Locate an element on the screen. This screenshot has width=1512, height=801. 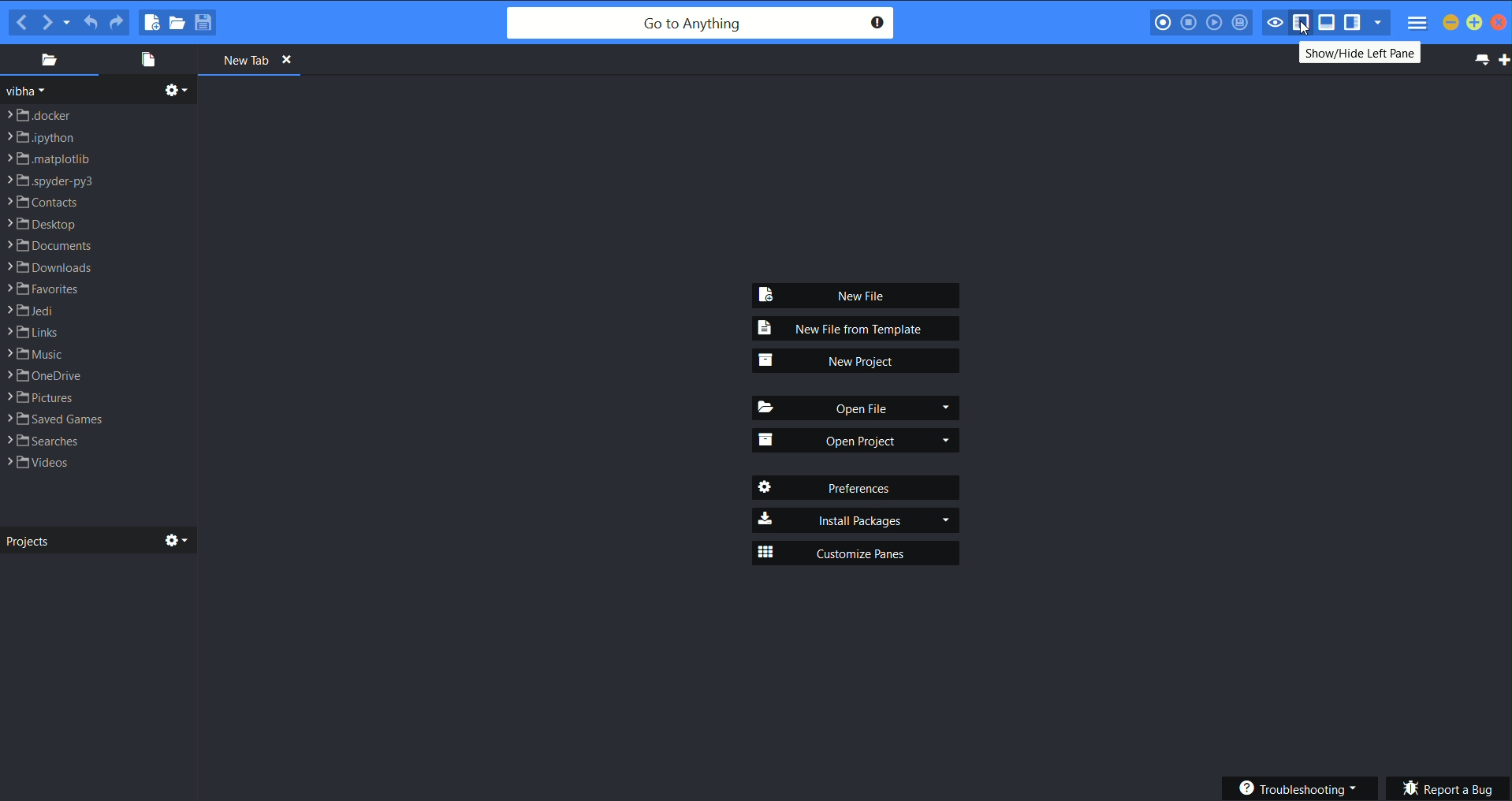
hide right pane is located at coordinates (1356, 24).